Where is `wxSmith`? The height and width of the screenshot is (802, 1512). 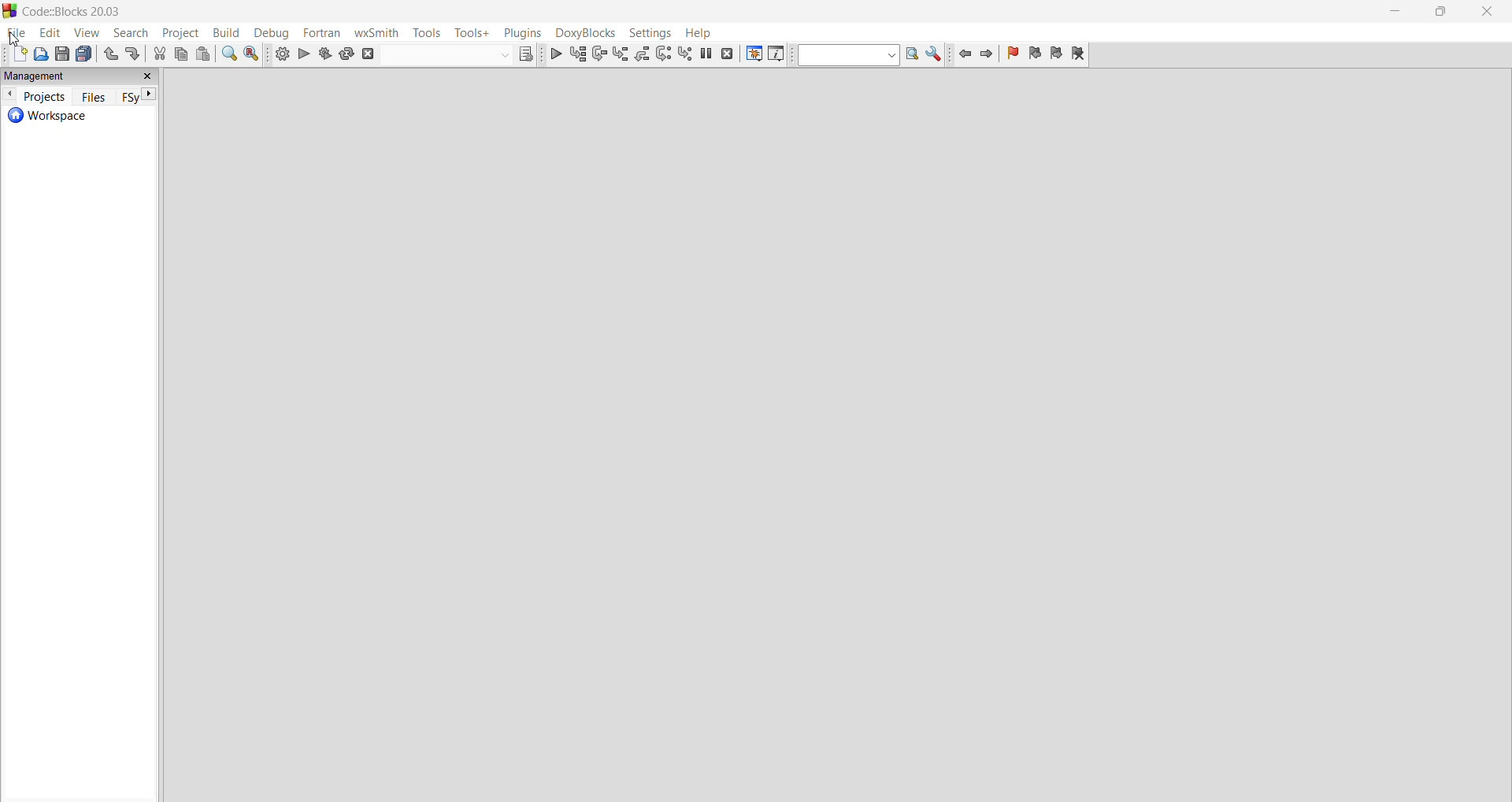 wxSmith is located at coordinates (377, 33).